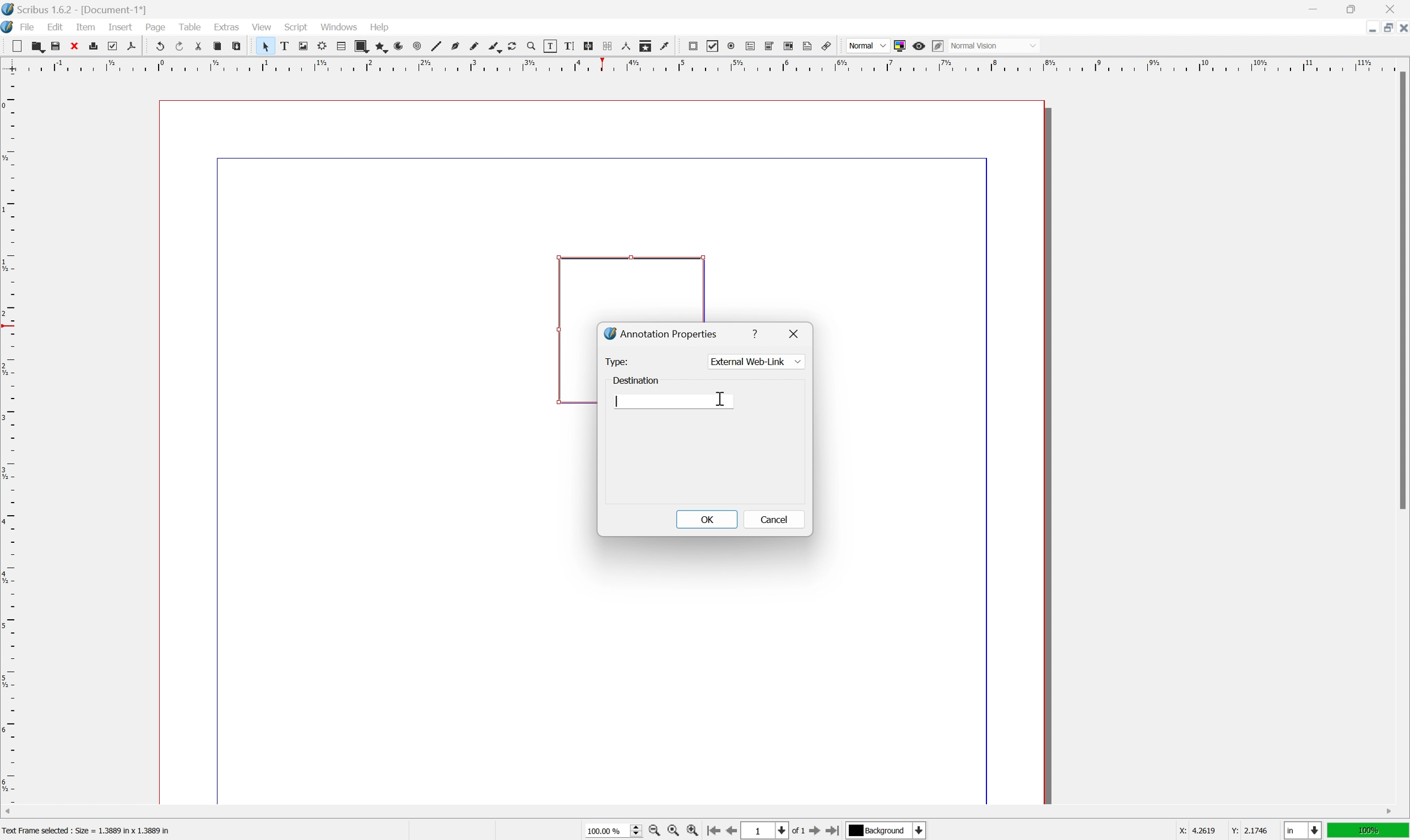 This screenshot has height=840, width=1410. Describe the element at coordinates (1401, 290) in the screenshot. I see `scroll bar` at that location.